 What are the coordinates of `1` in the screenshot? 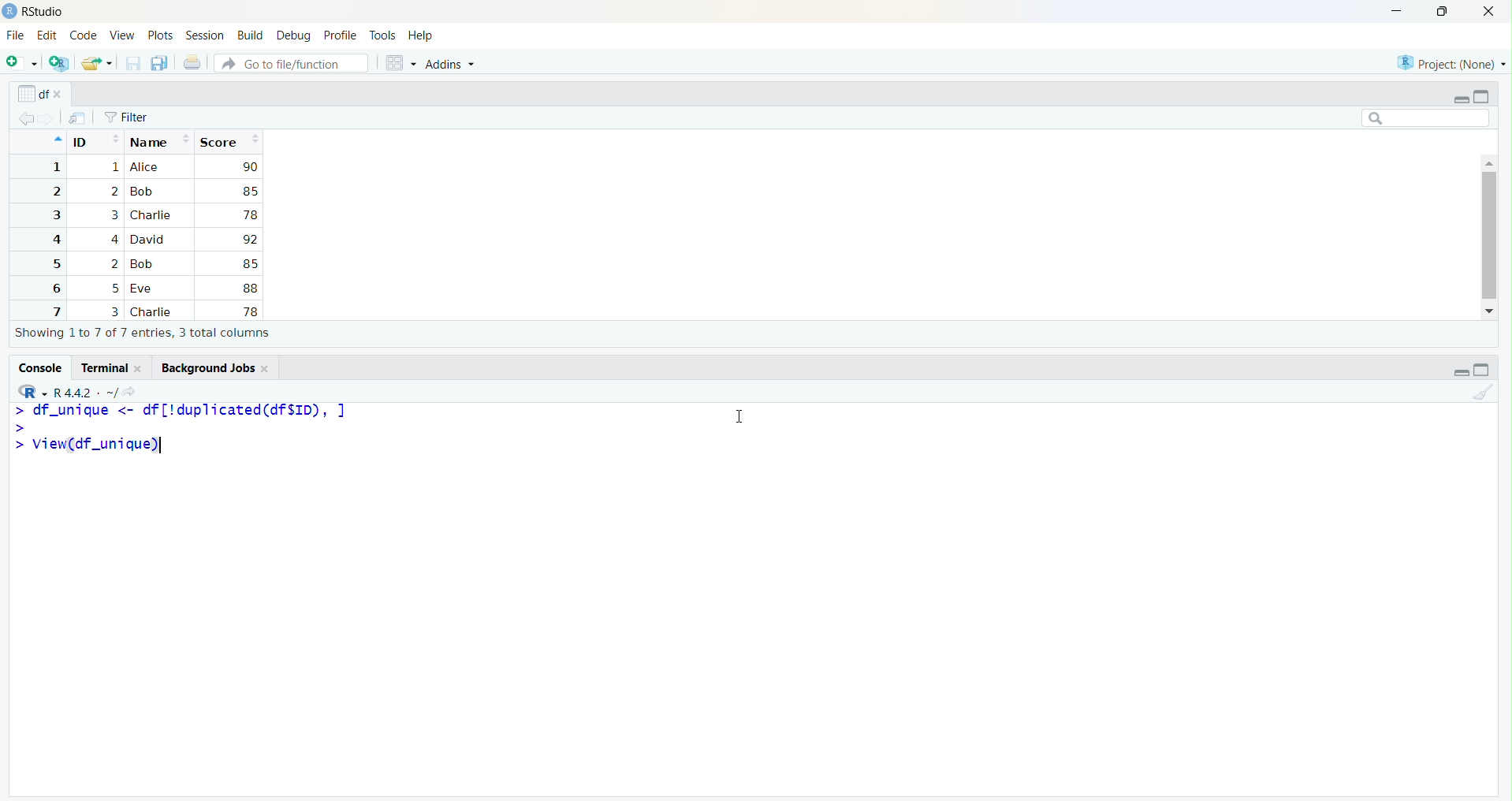 It's located at (114, 168).